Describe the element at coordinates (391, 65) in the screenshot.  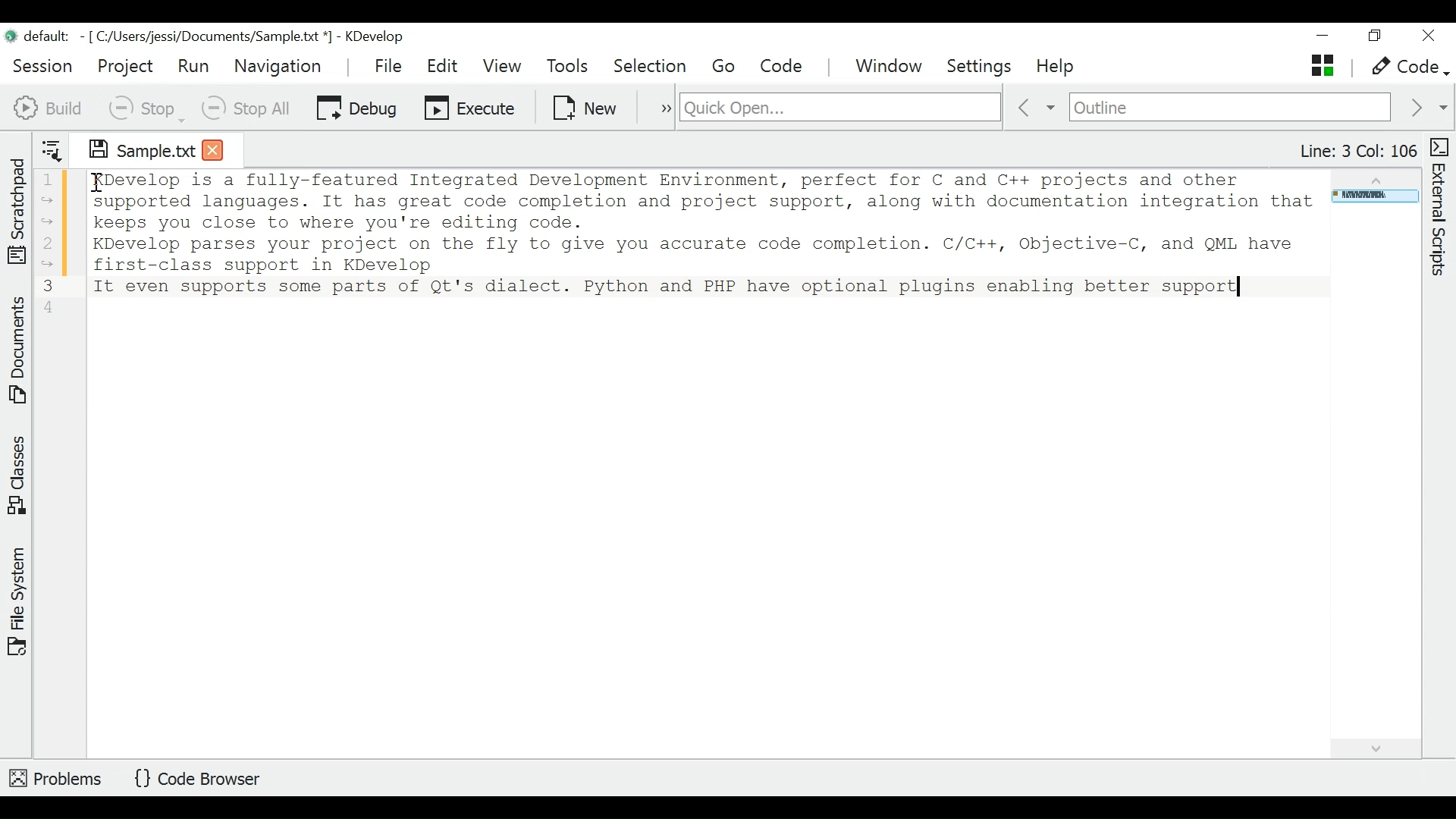
I see `File` at that location.